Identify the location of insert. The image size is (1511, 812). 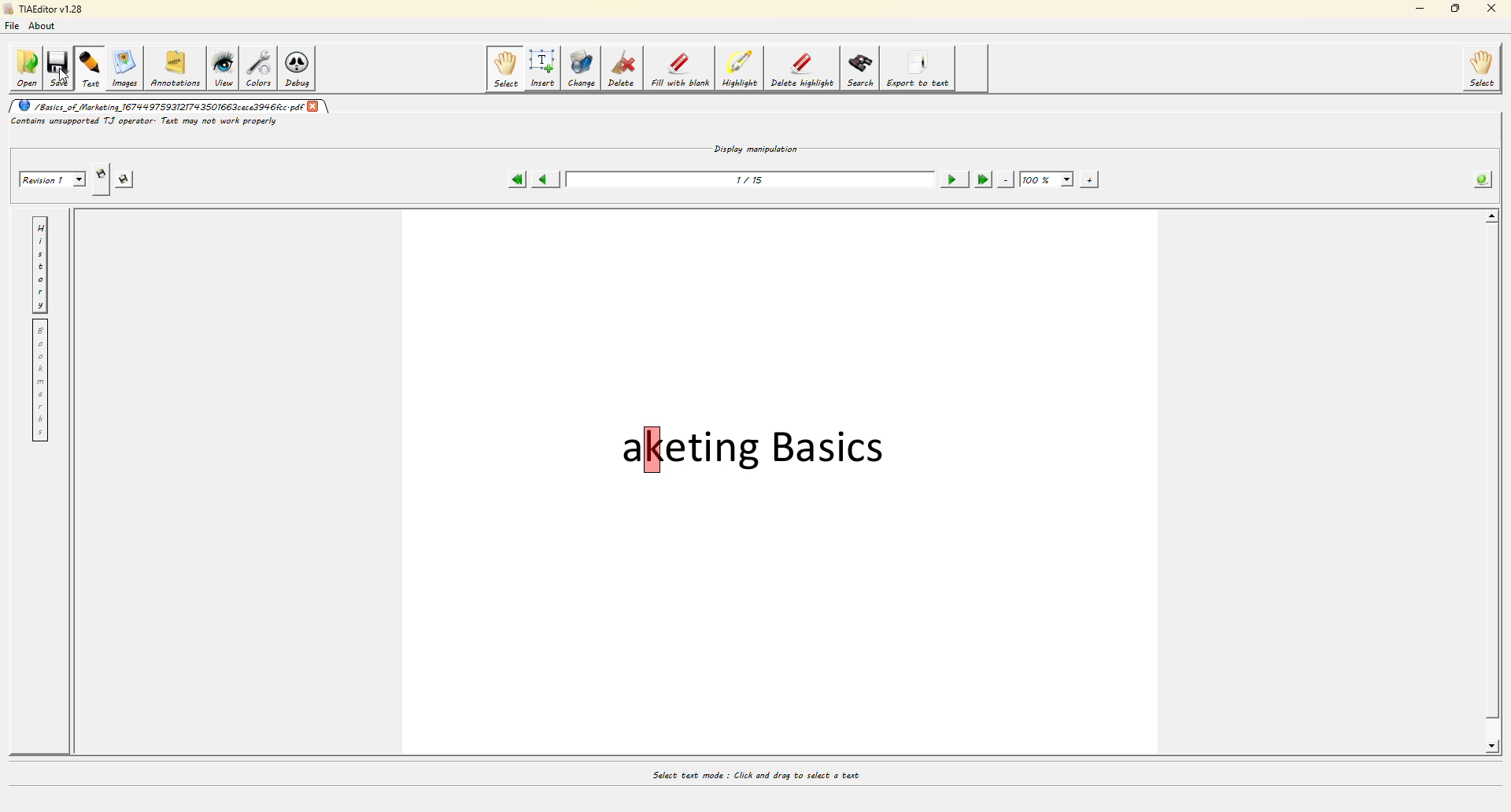
(544, 68).